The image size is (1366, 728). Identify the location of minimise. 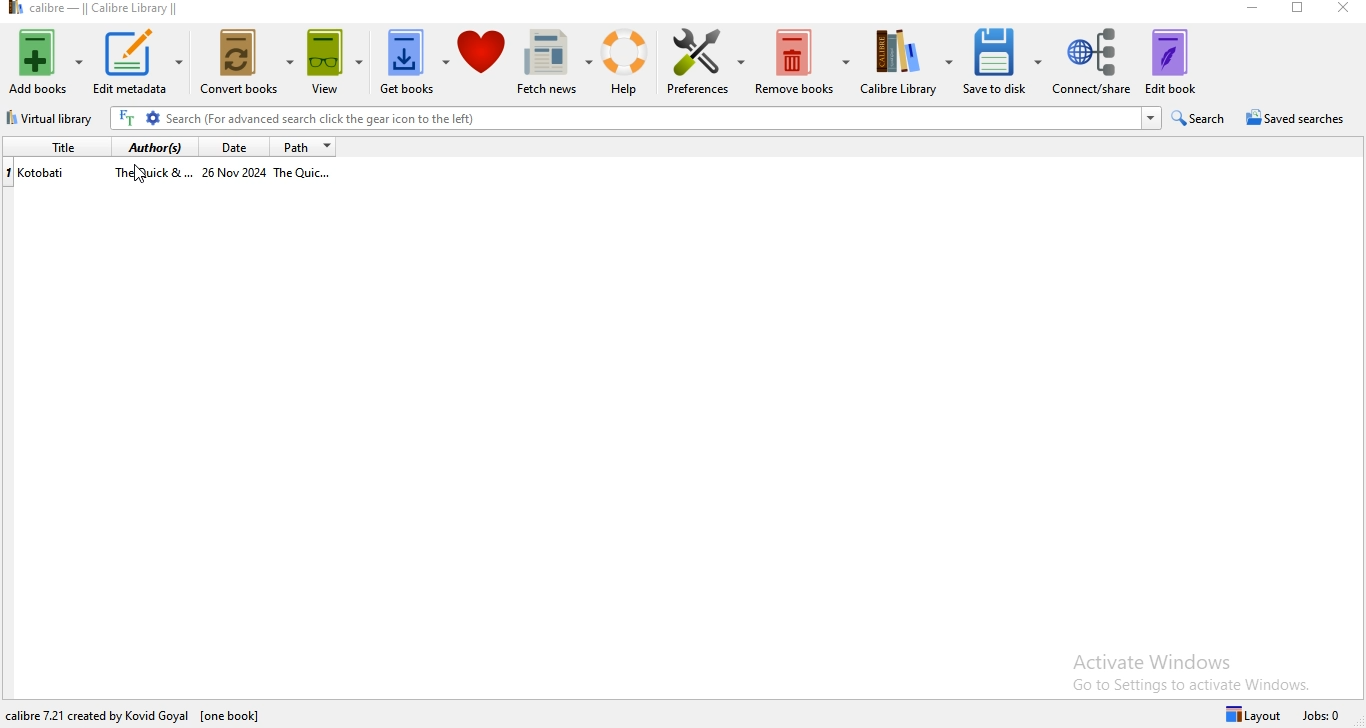
(1254, 8).